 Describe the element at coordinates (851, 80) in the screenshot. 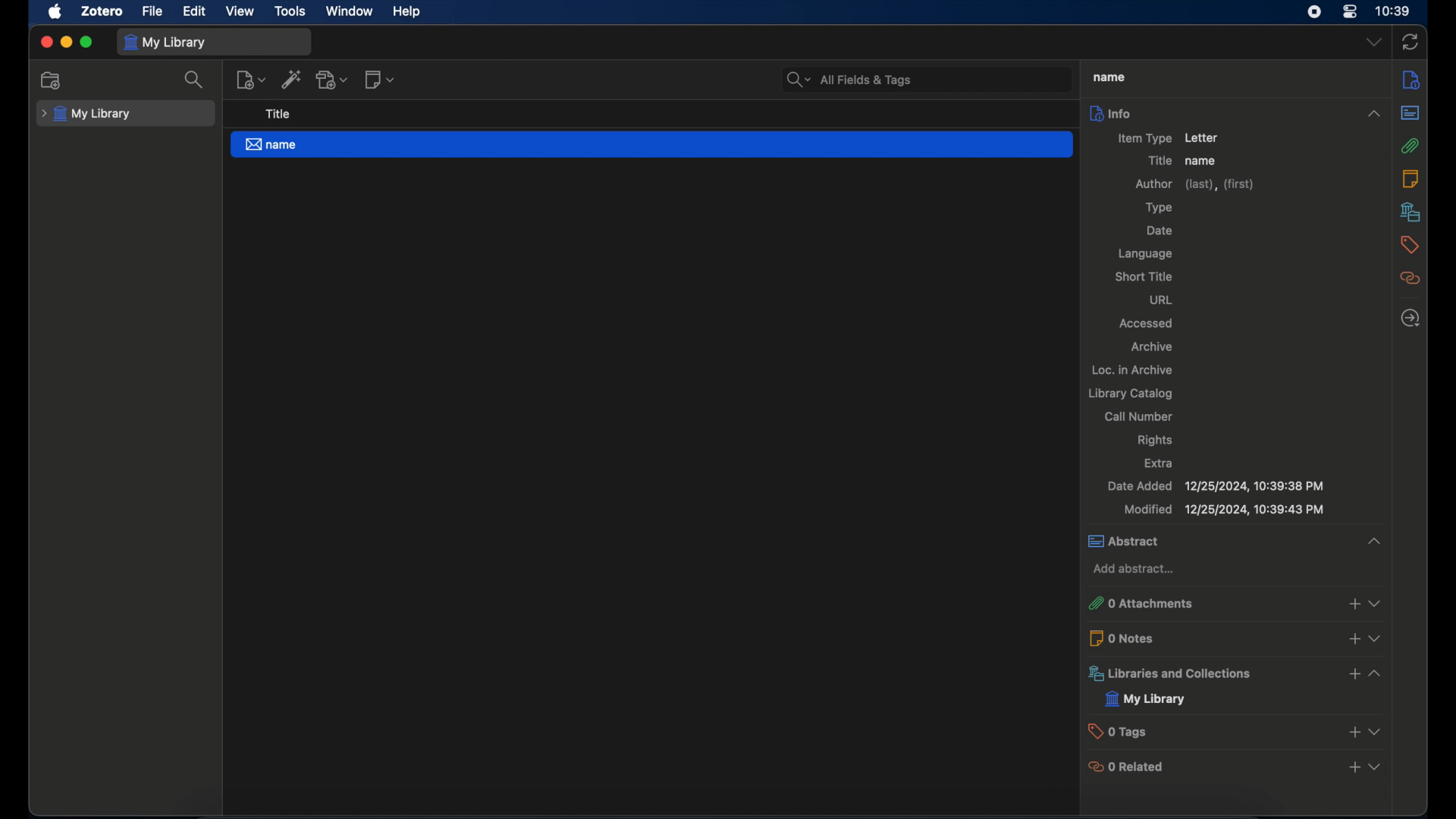

I see `search bar` at that location.